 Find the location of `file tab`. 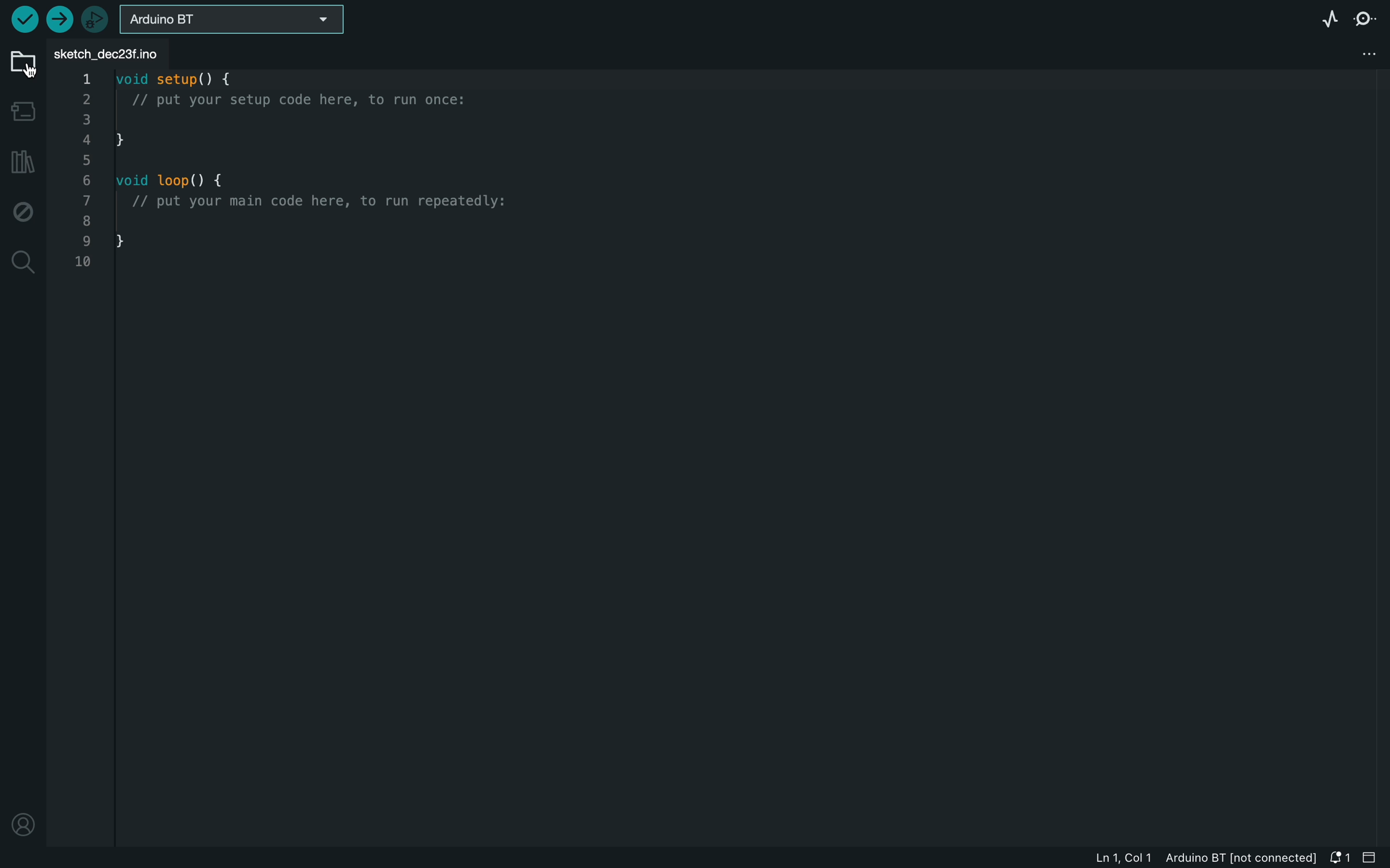

file tab is located at coordinates (113, 55).